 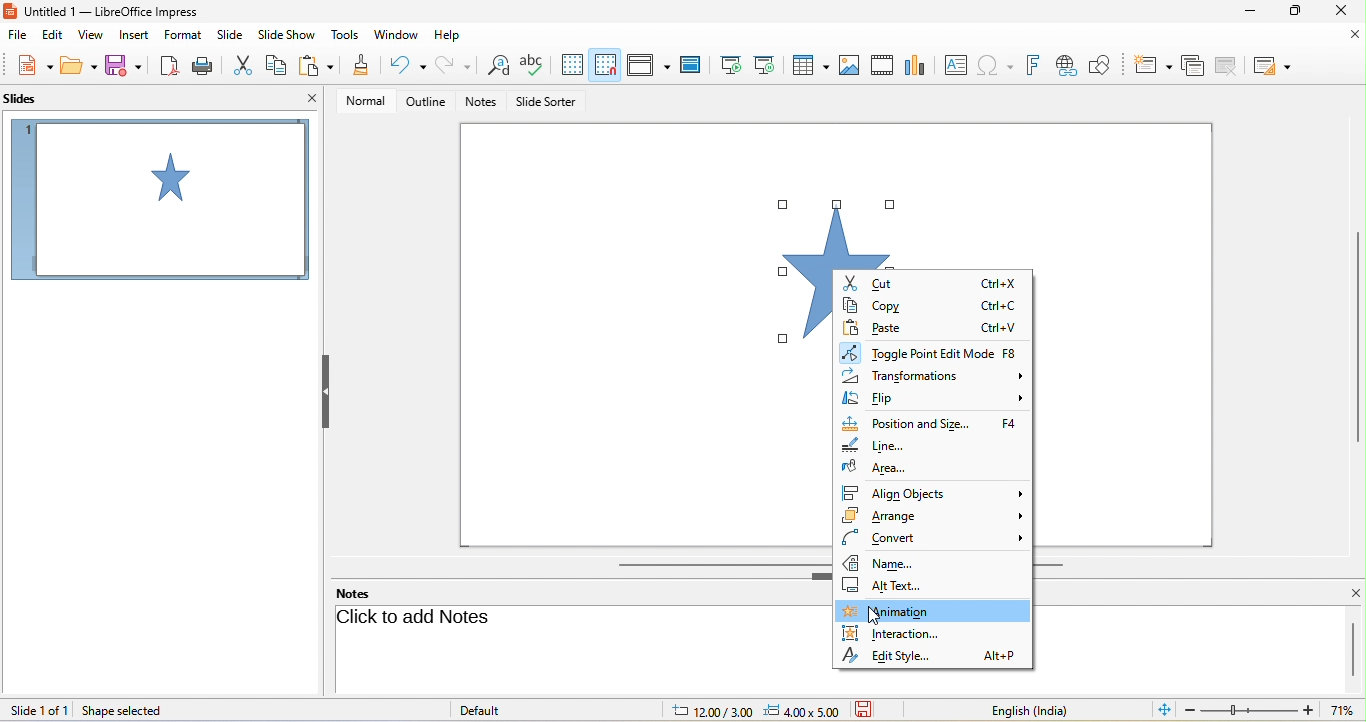 I want to click on fit slide to current window, so click(x=1164, y=711).